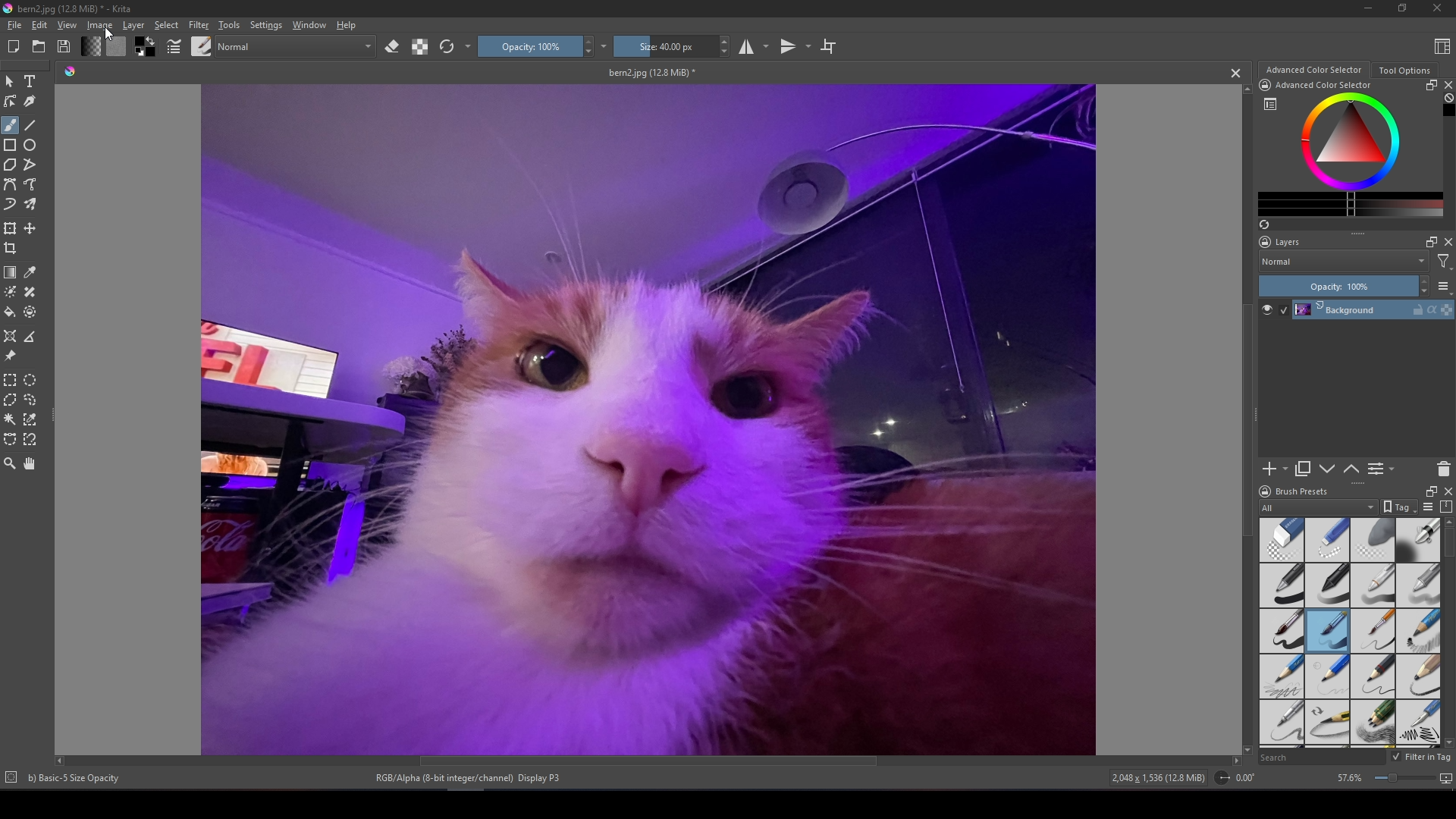  What do you see at coordinates (298, 46) in the screenshot?
I see `Blending mode` at bounding box center [298, 46].